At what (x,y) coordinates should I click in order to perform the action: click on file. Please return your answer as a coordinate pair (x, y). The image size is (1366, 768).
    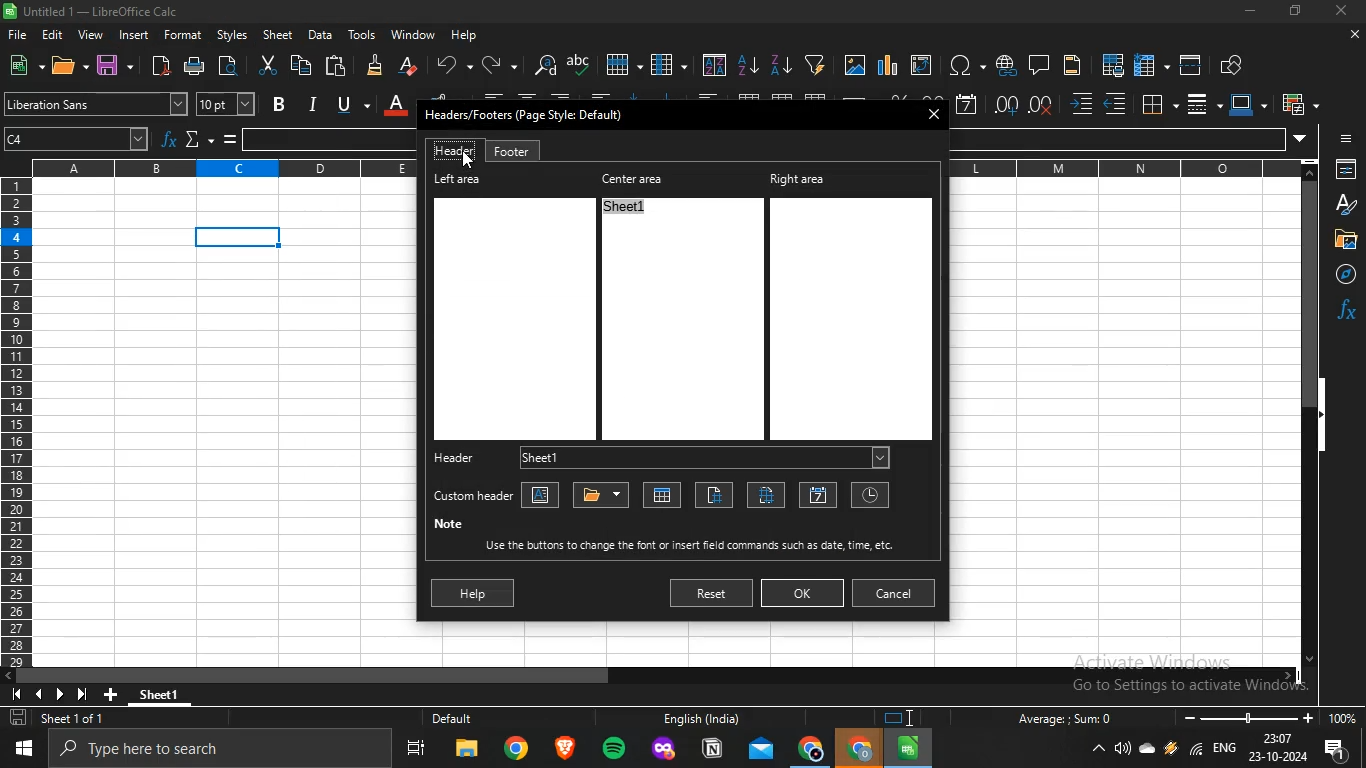
    Looking at the image, I should click on (20, 36).